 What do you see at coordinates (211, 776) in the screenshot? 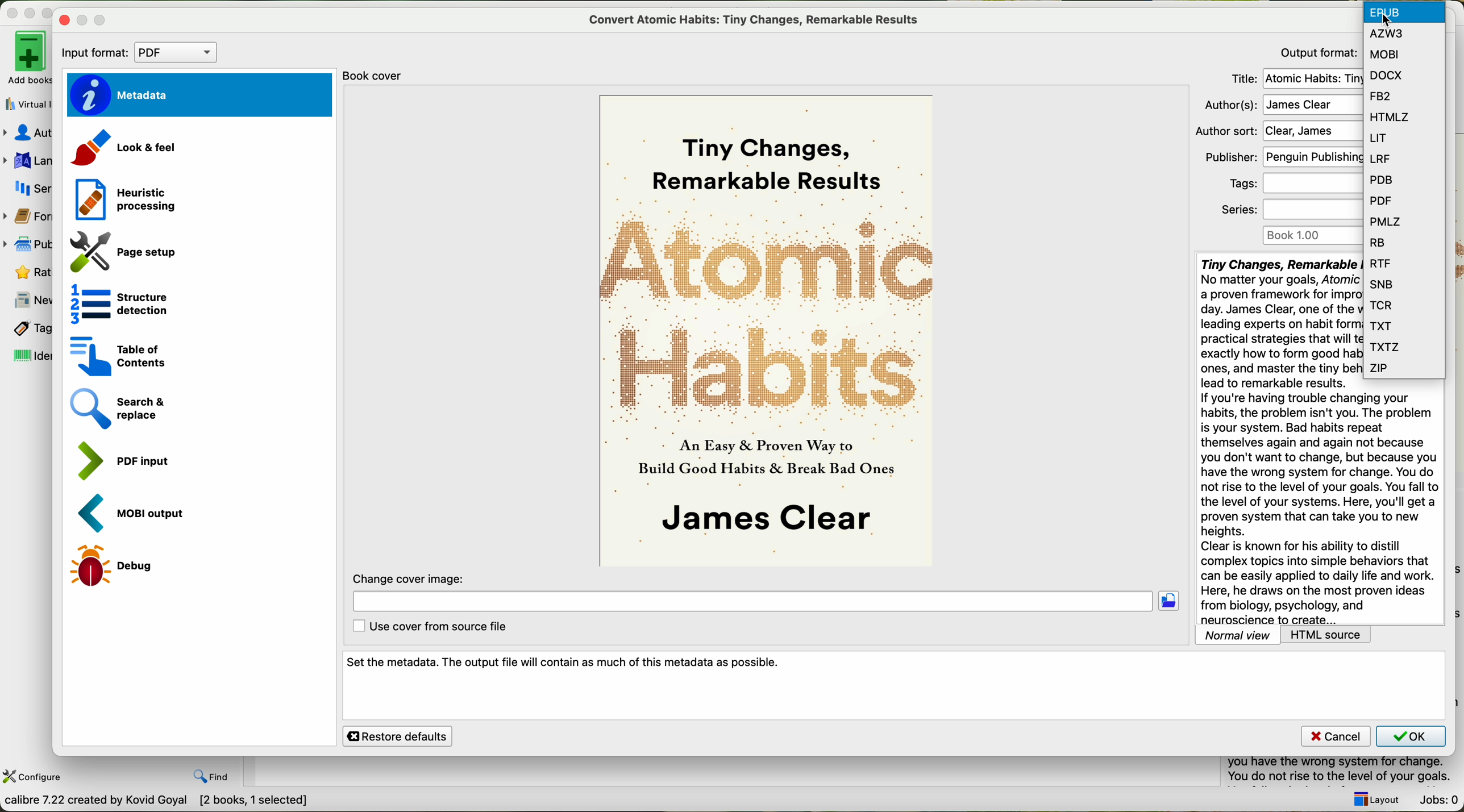
I see `find` at bounding box center [211, 776].